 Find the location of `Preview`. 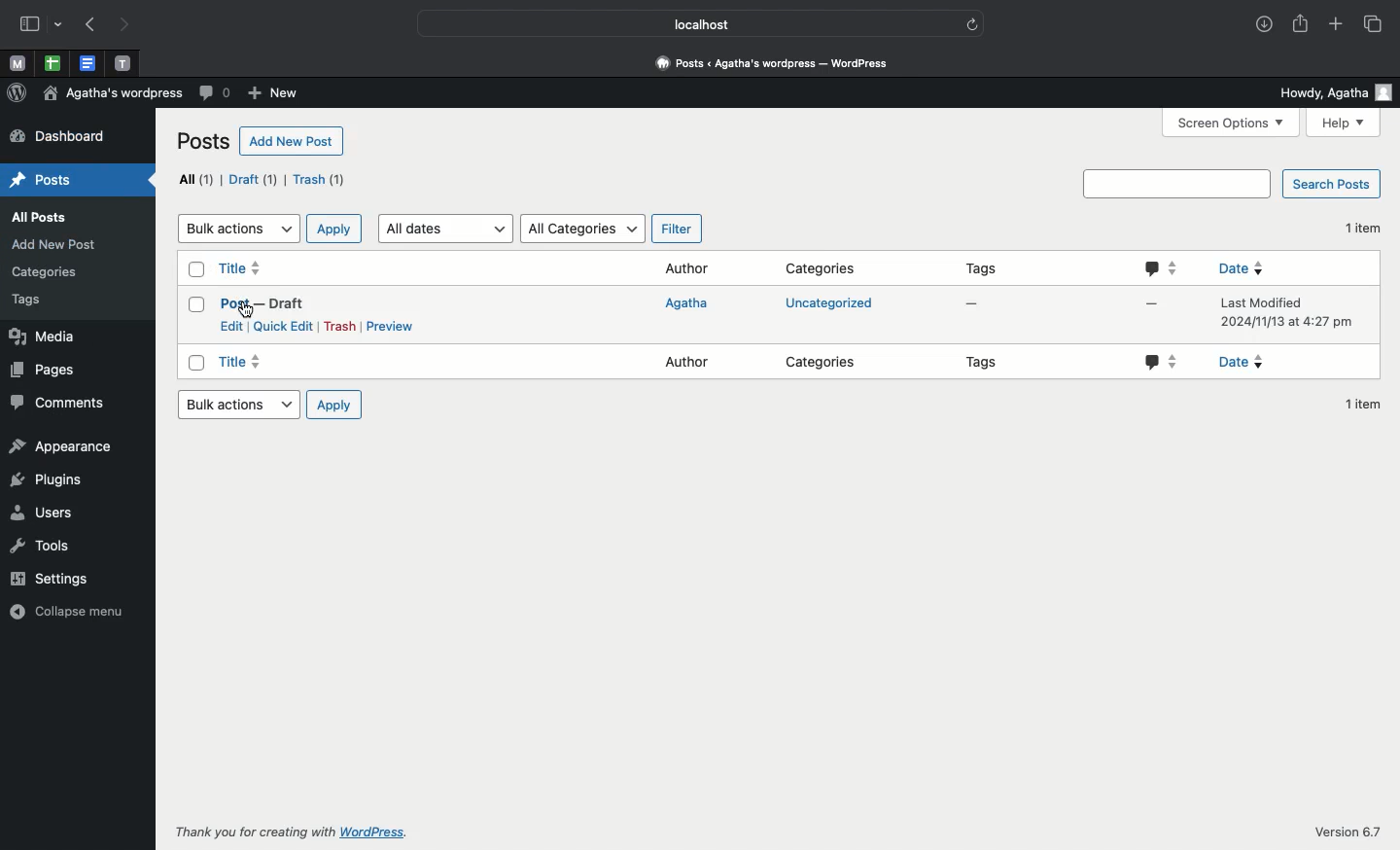

Preview is located at coordinates (391, 324).